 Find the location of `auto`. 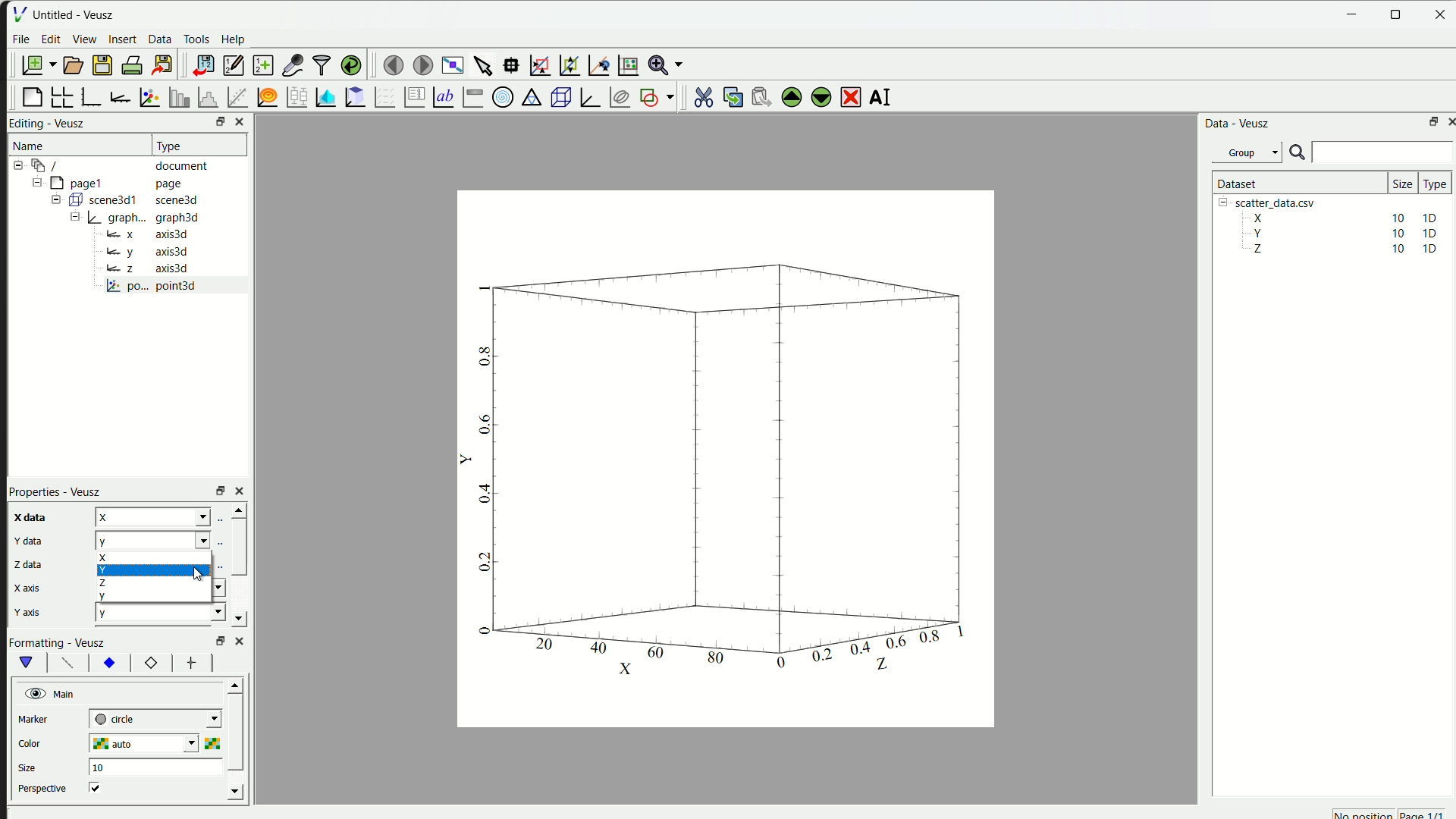

auto is located at coordinates (153, 745).